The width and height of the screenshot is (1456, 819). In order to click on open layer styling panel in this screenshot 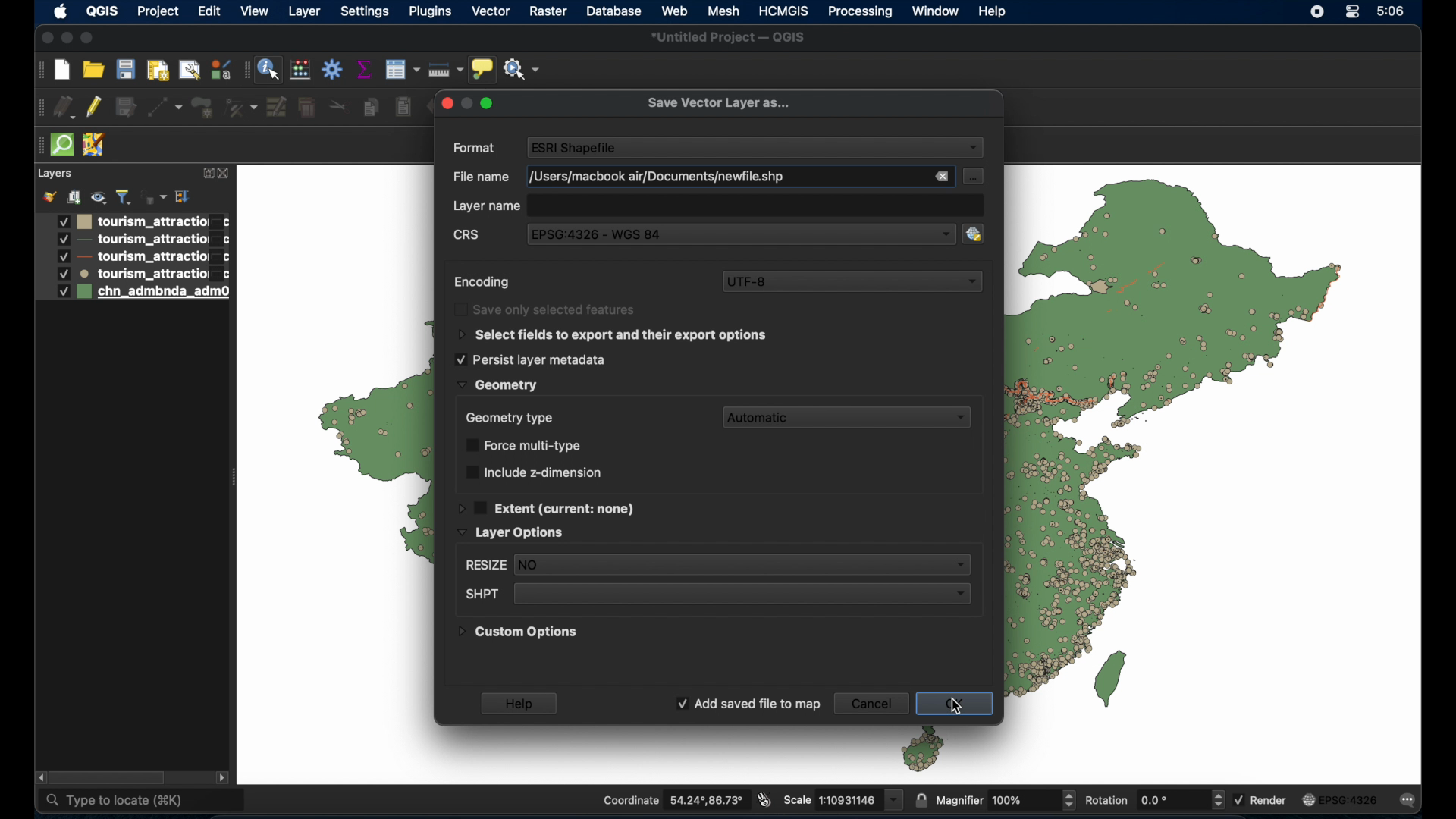, I will do `click(49, 196)`.